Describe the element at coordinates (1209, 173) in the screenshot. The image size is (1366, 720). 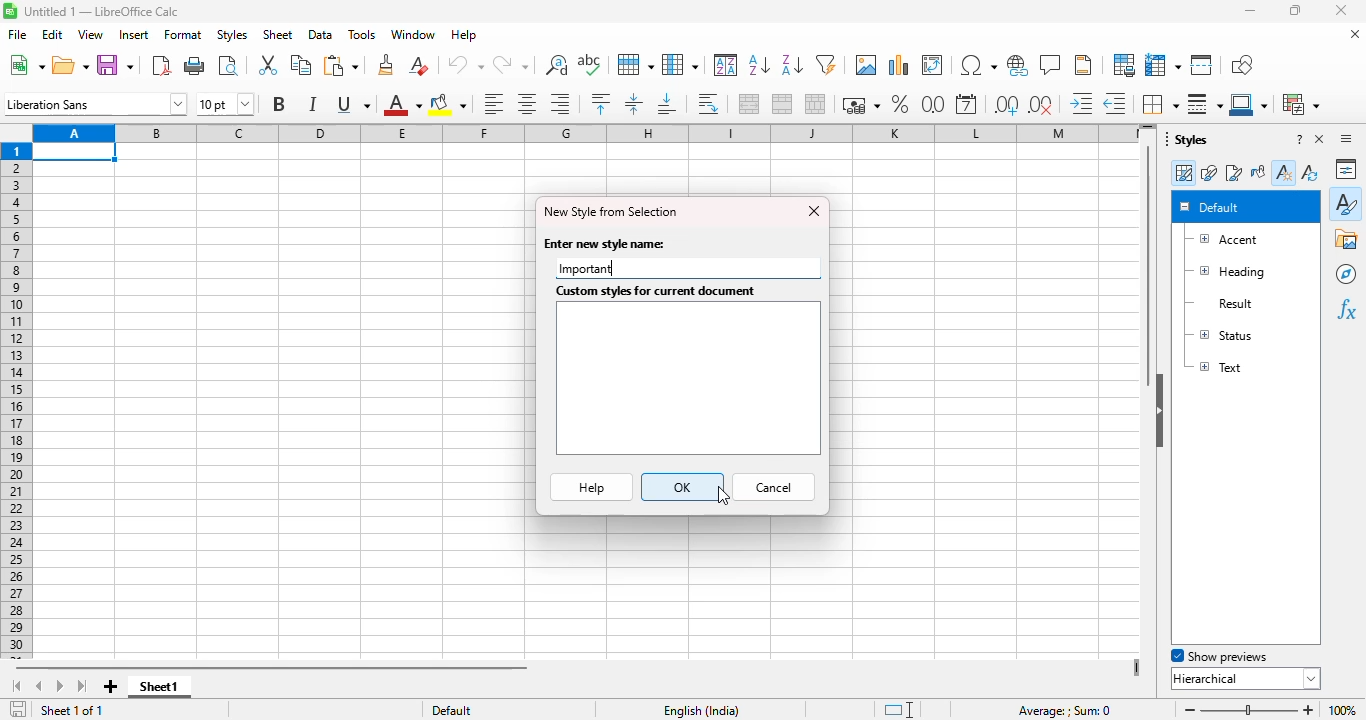
I see `drawing styles` at that location.